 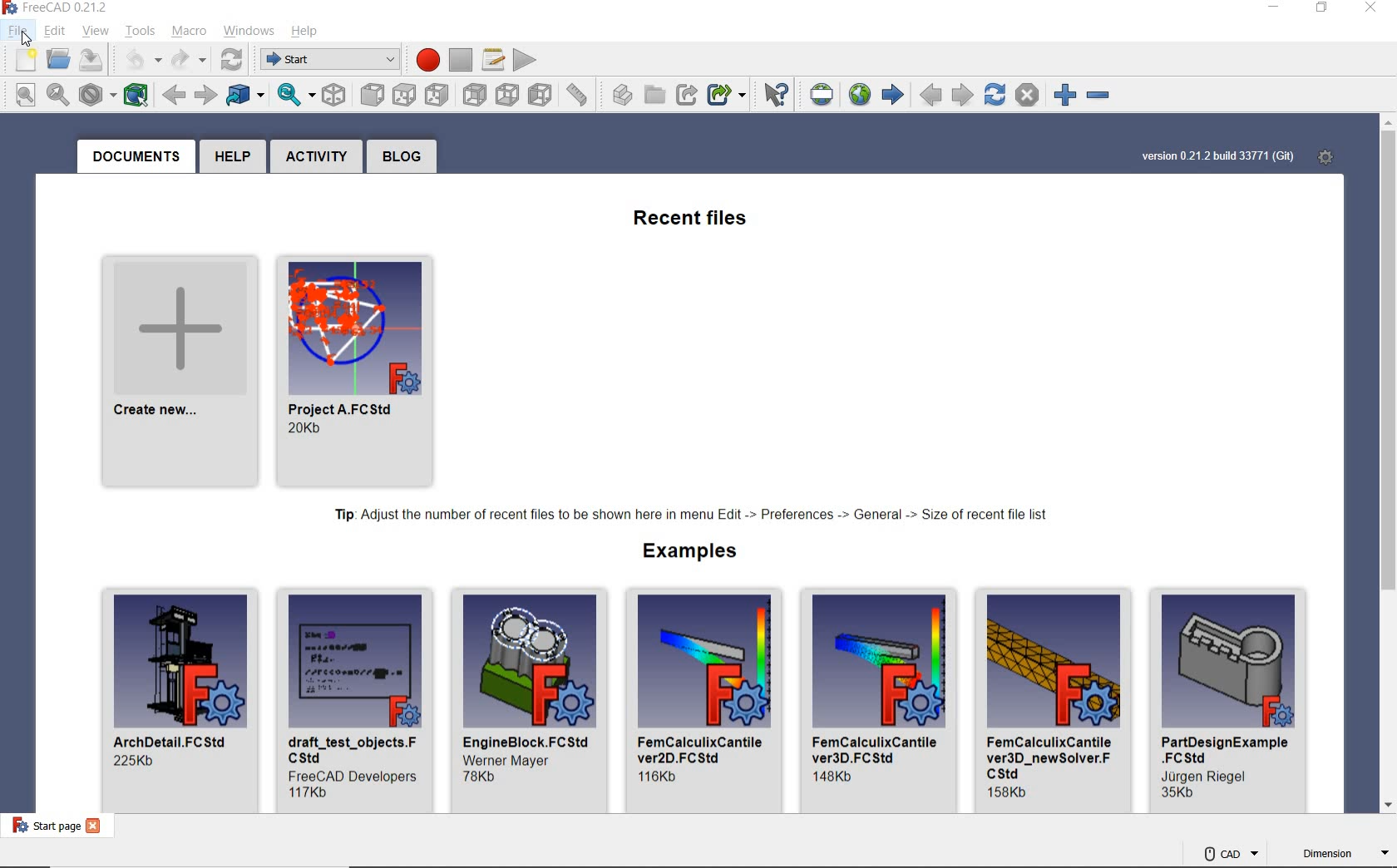 What do you see at coordinates (353, 748) in the screenshot?
I see `name` at bounding box center [353, 748].